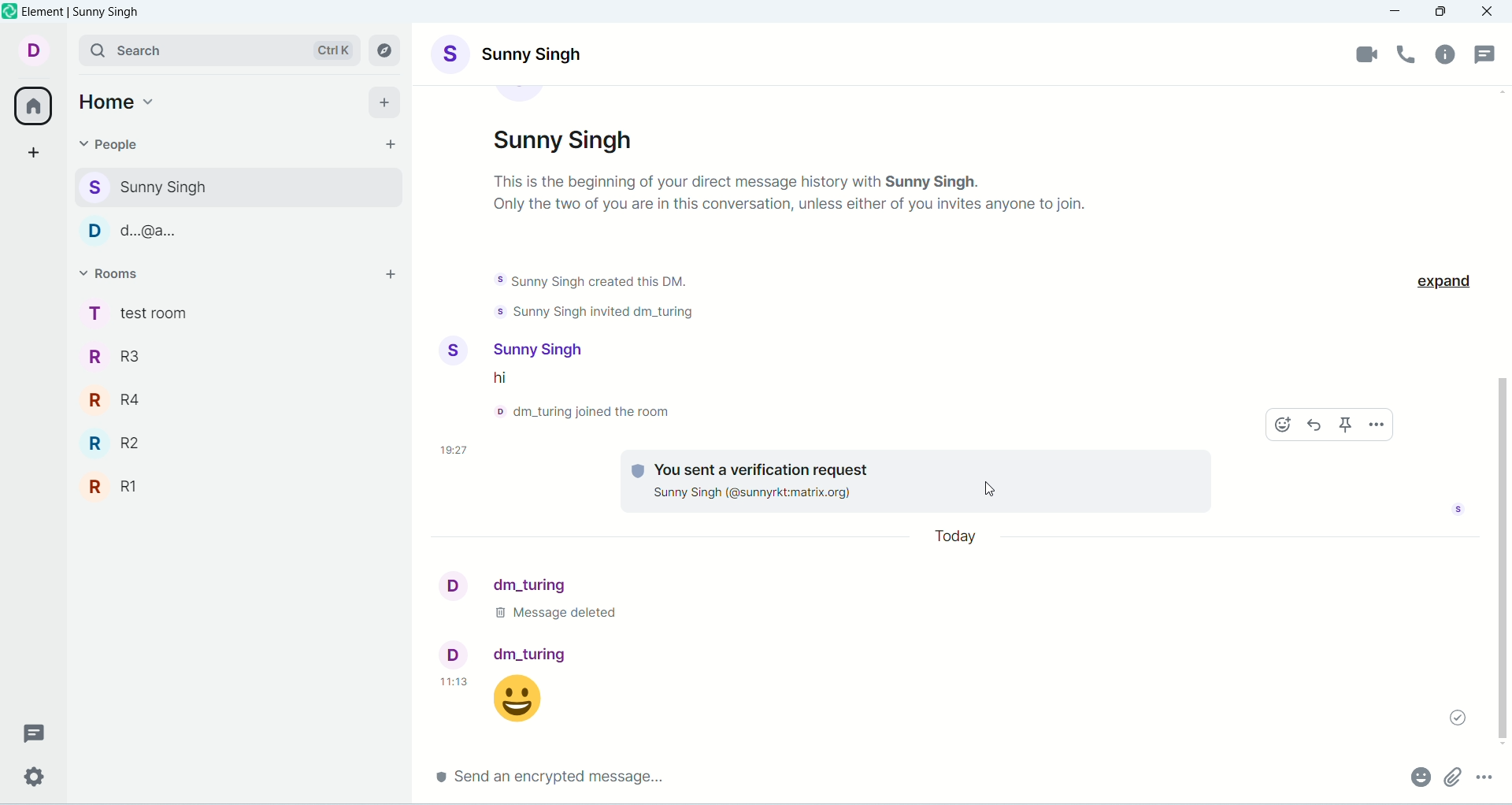 The height and width of the screenshot is (805, 1512). I want to click on maximize, so click(1442, 10).